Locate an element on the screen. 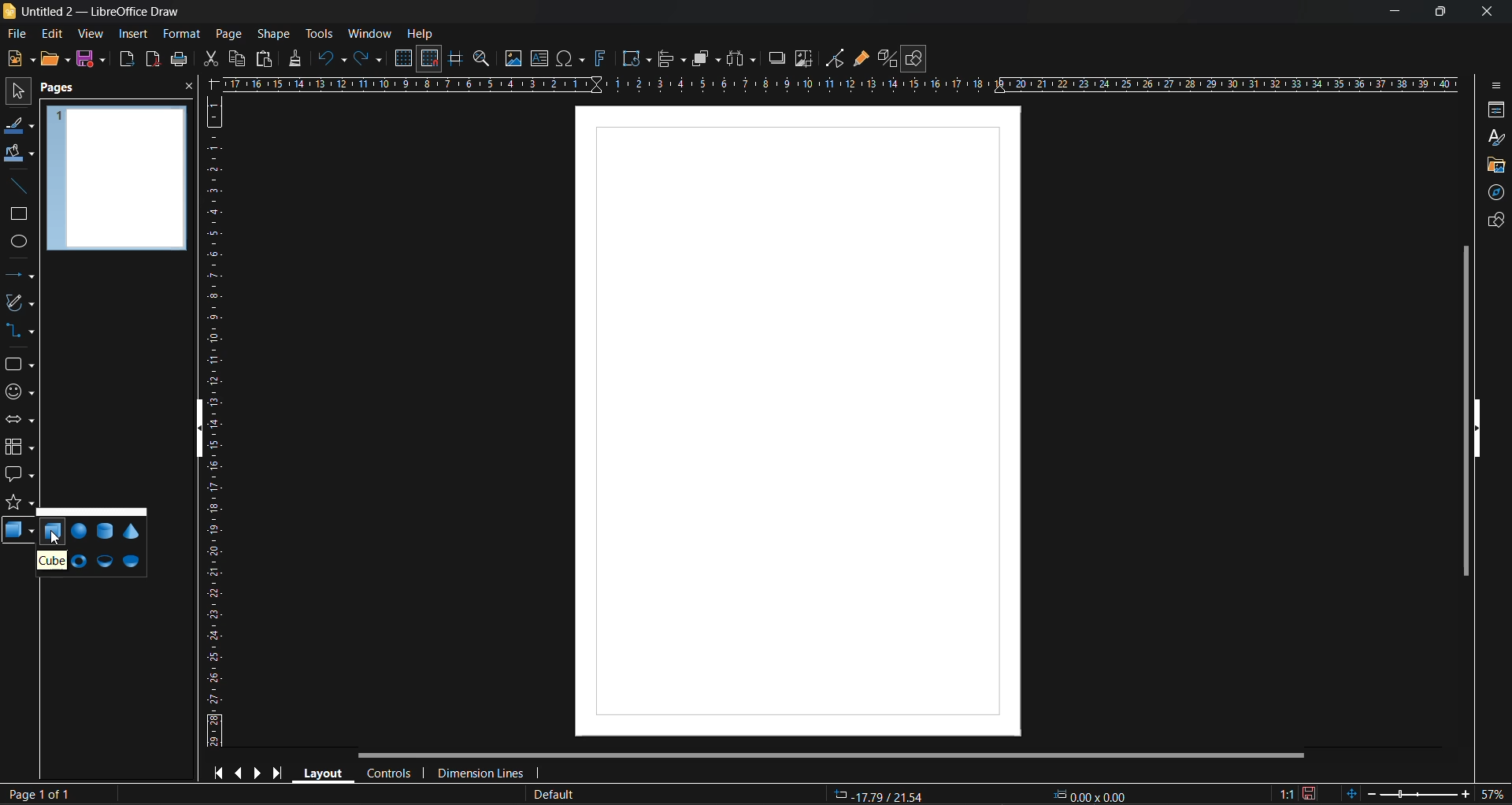 The height and width of the screenshot is (805, 1512). export as pdf is located at coordinates (150, 58).